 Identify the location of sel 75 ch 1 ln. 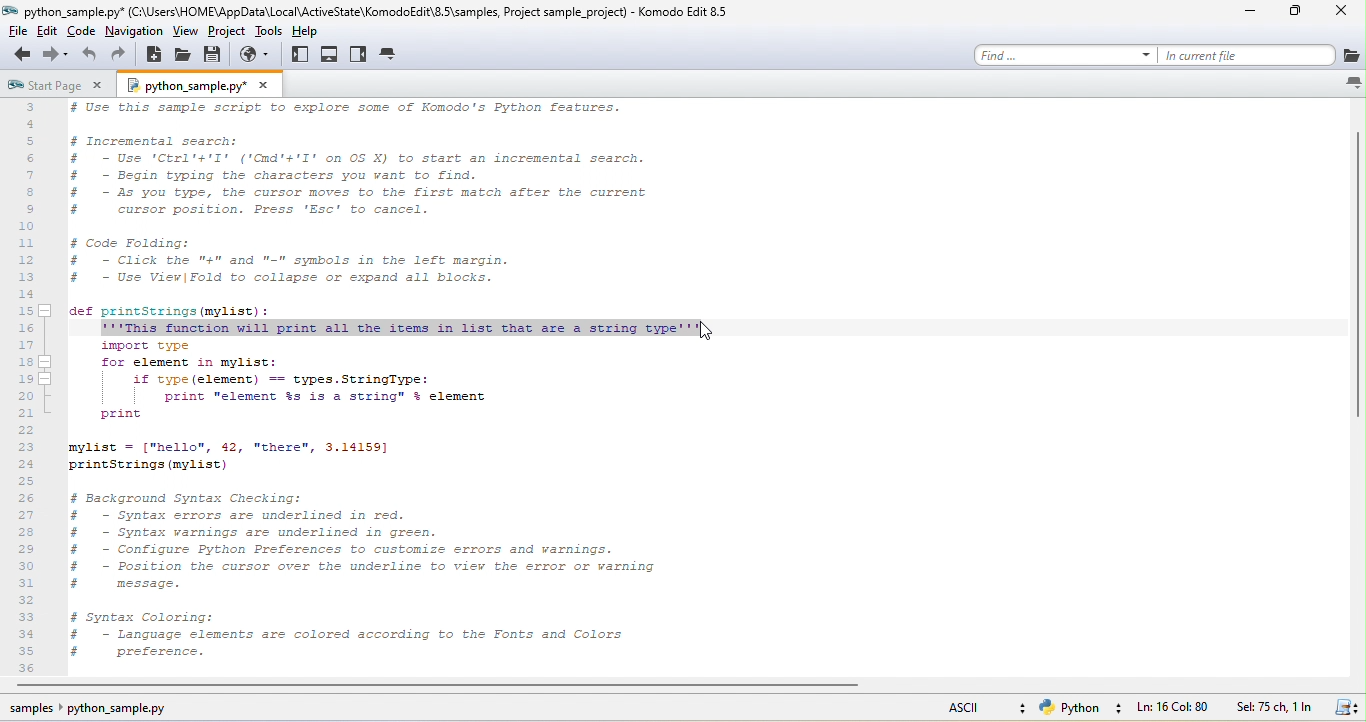
(1273, 708).